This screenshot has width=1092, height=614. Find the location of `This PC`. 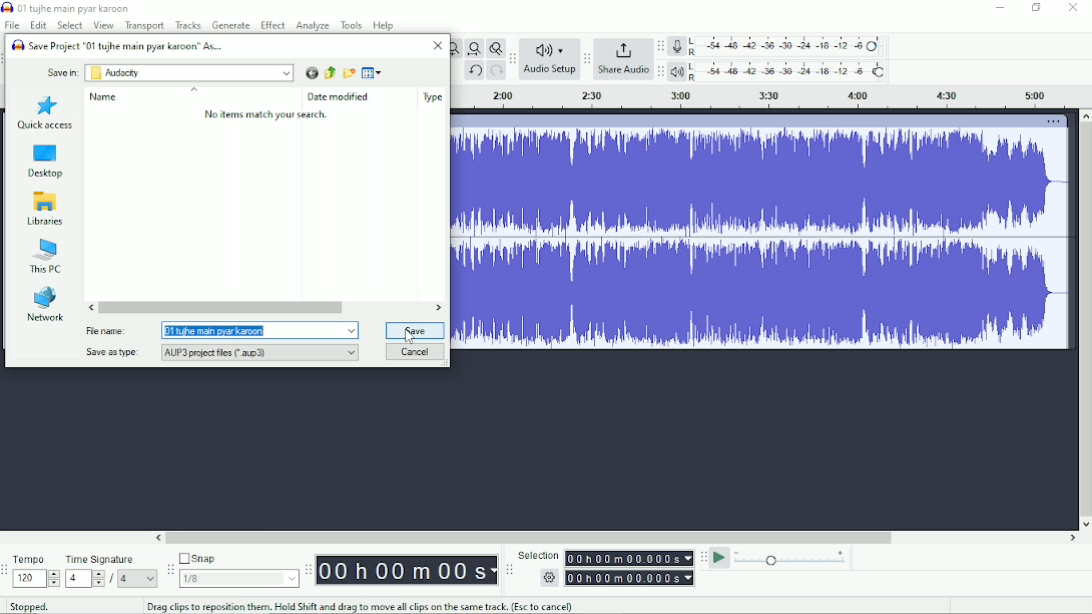

This PC is located at coordinates (47, 256).